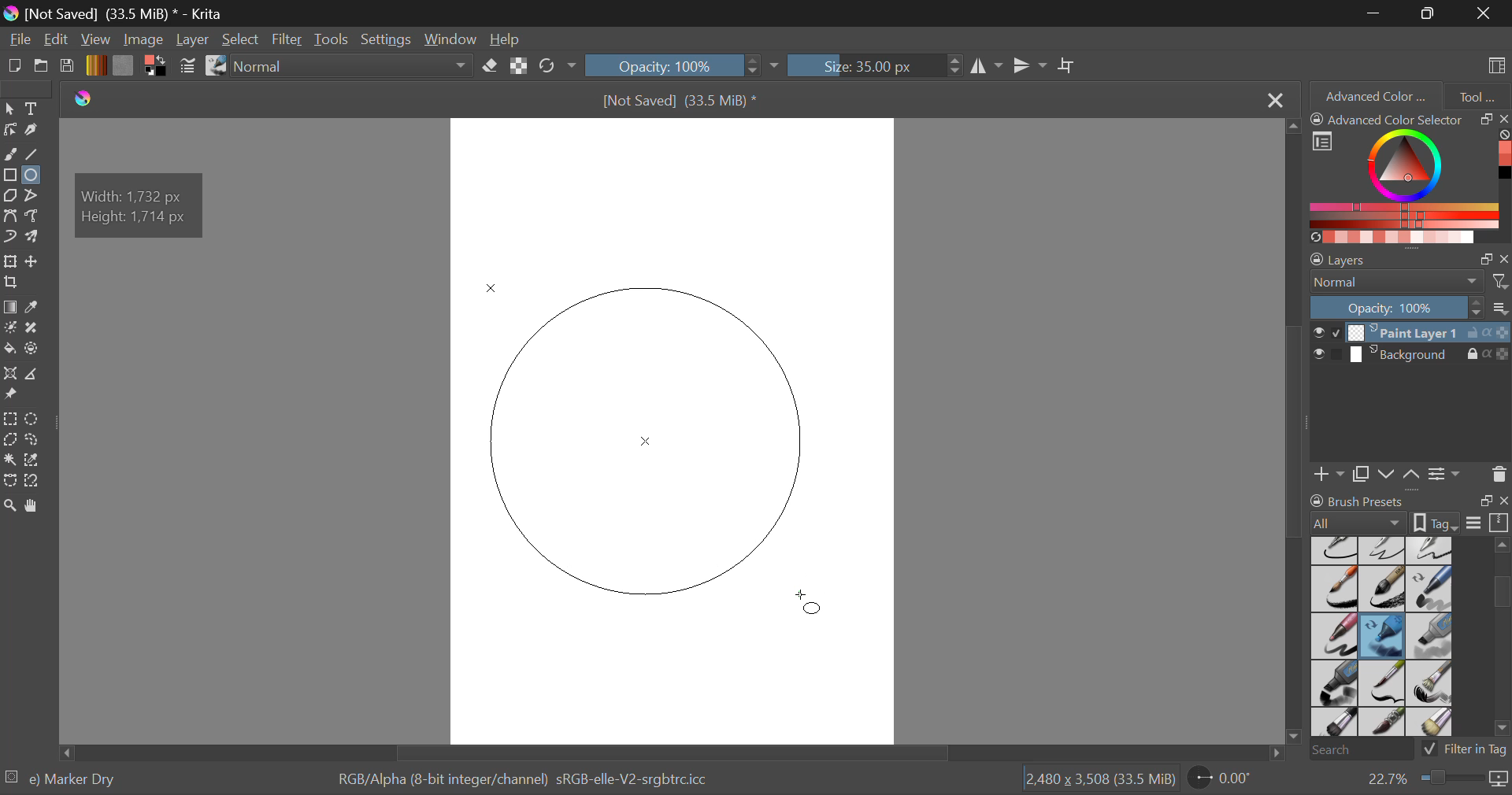  I want to click on Freehand Path Tool, so click(32, 215).